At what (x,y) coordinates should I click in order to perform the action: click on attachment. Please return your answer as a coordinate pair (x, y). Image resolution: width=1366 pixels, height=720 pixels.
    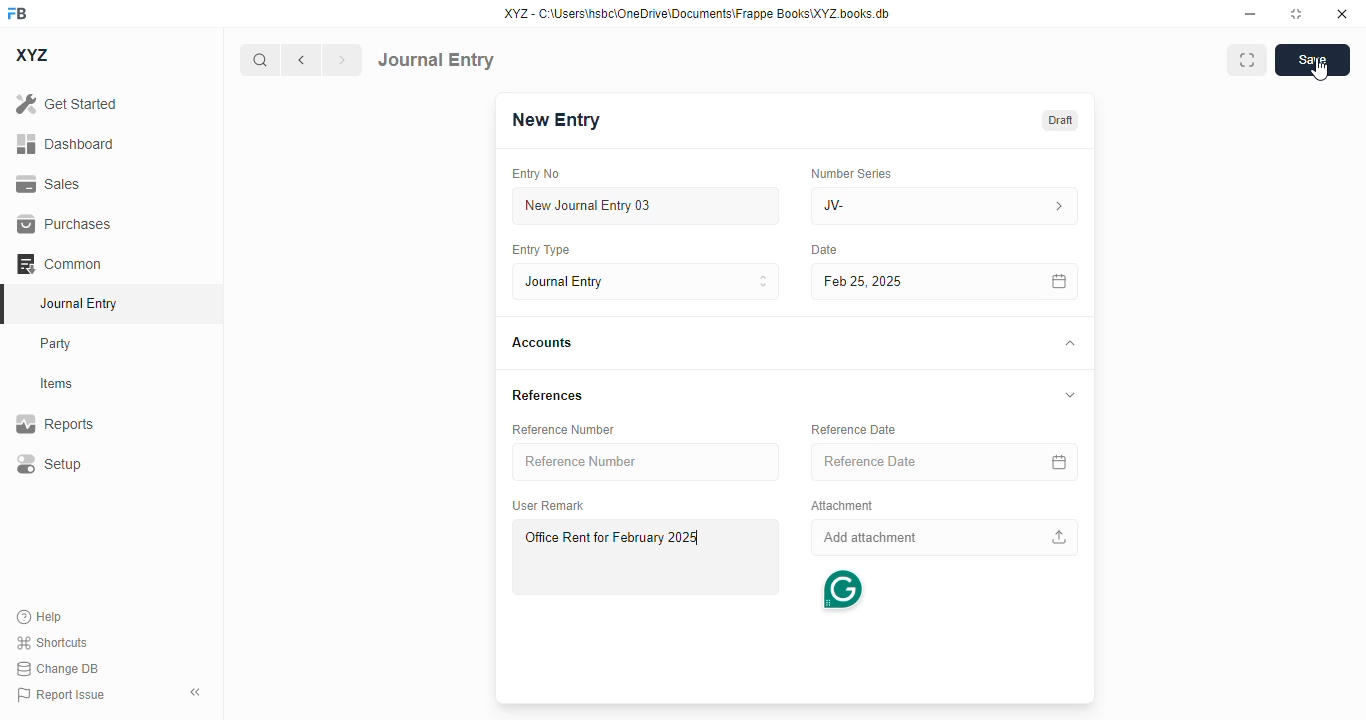
    Looking at the image, I should click on (841, 506).